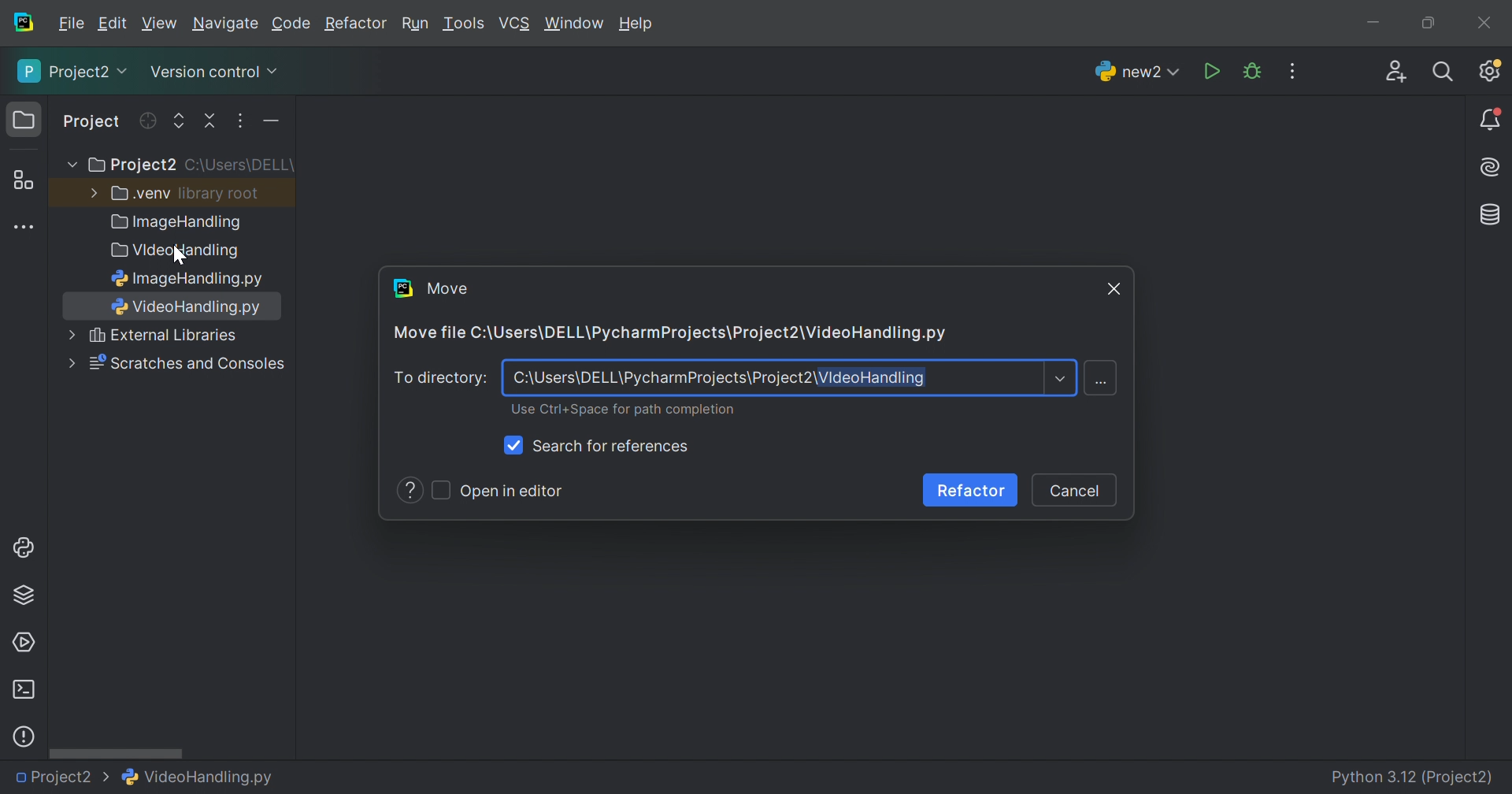 The image size is (1512, 794). Describe the element at coordinates (516, 24) in the screenshot. I see `VCS` at that location.